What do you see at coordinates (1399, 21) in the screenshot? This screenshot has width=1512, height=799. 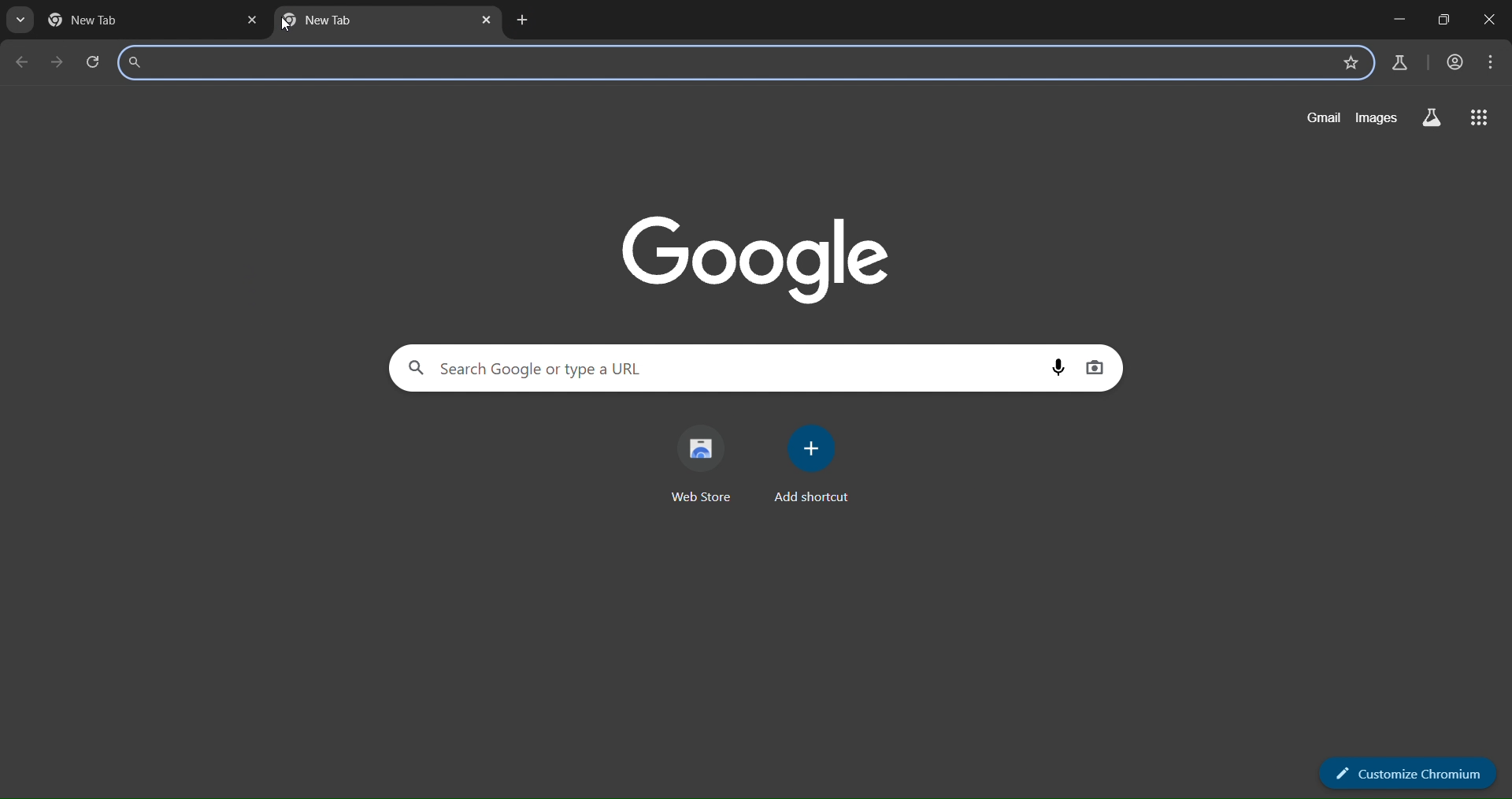 I see `minimize` at bounding box center [1399, 21].